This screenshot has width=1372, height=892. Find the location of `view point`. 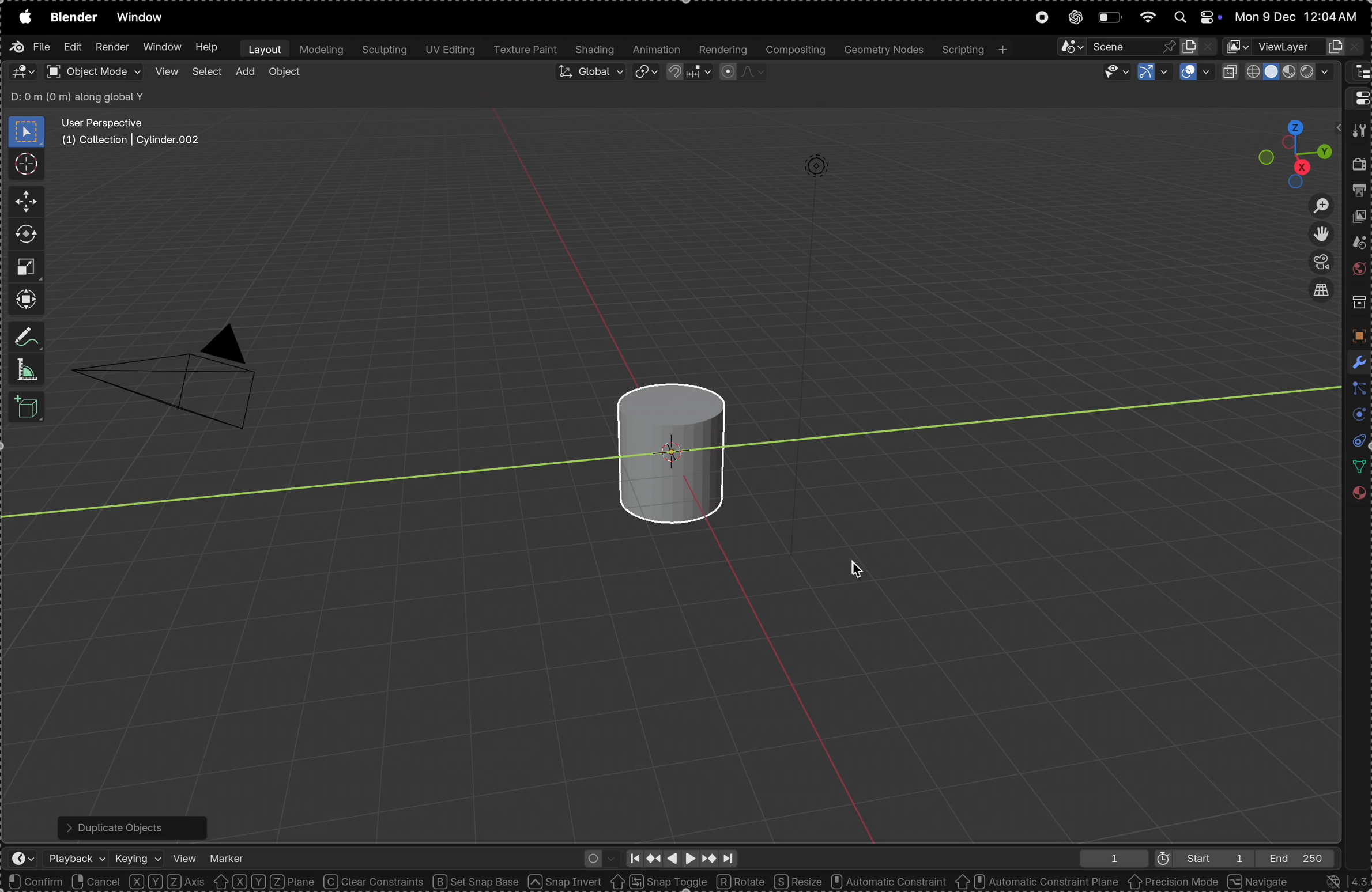

view point is located at coordinates (1296, 149).